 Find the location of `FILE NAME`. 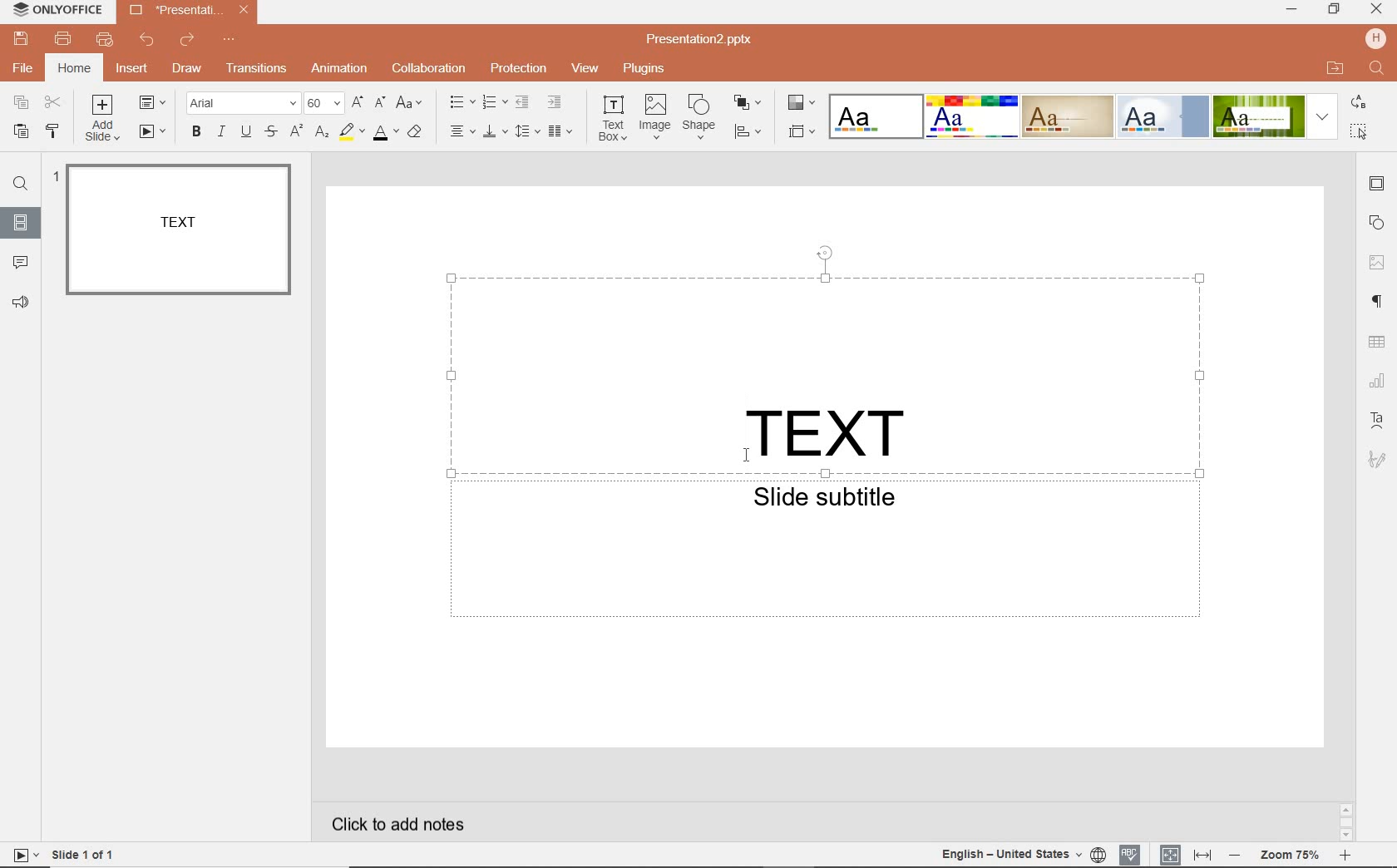

FILE NAME is located at coordinates (704, 39).